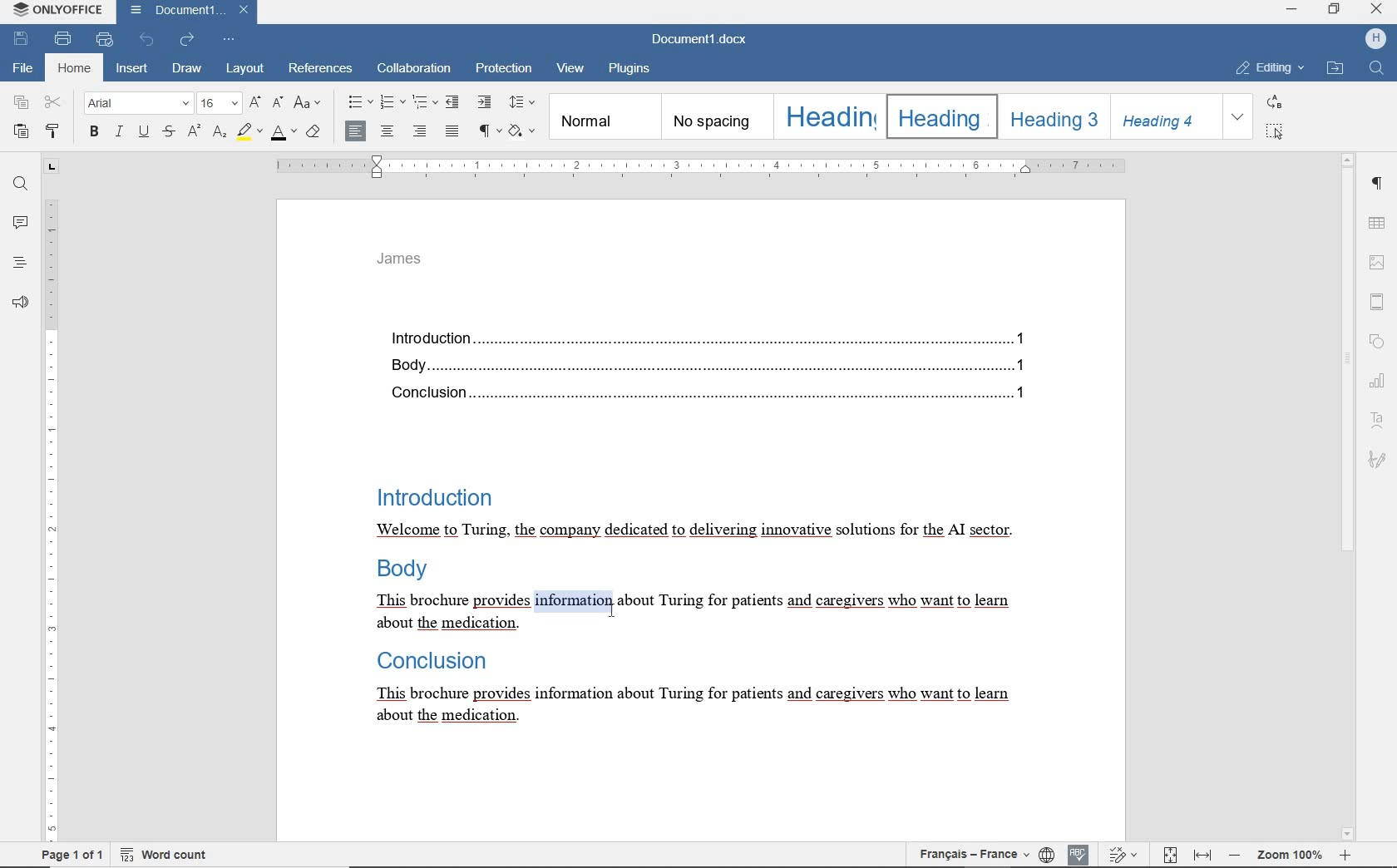  I want to click on LAYOUT, so click(243, 70).